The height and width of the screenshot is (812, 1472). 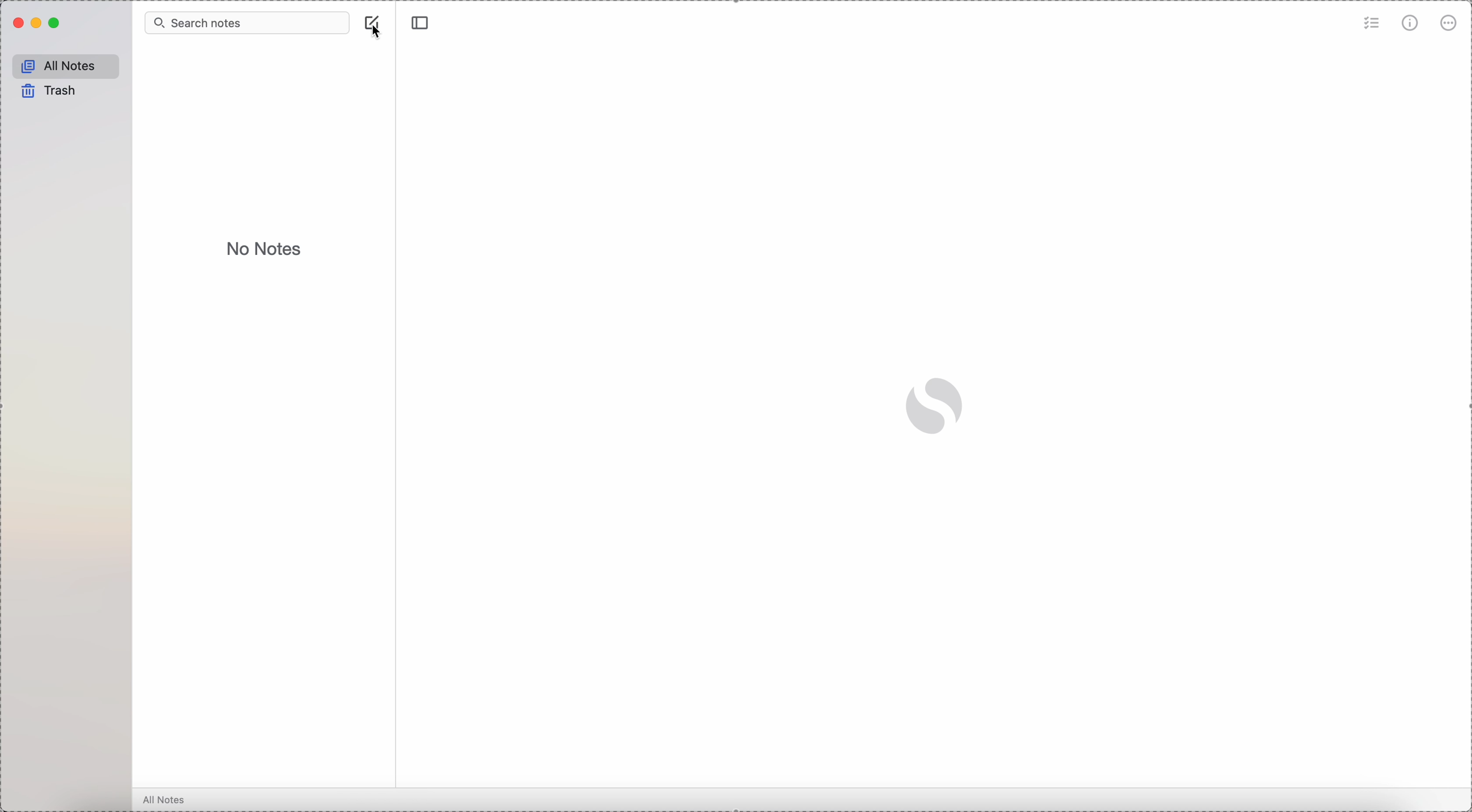 I want to click on more options, so click(x=1450, y=23).